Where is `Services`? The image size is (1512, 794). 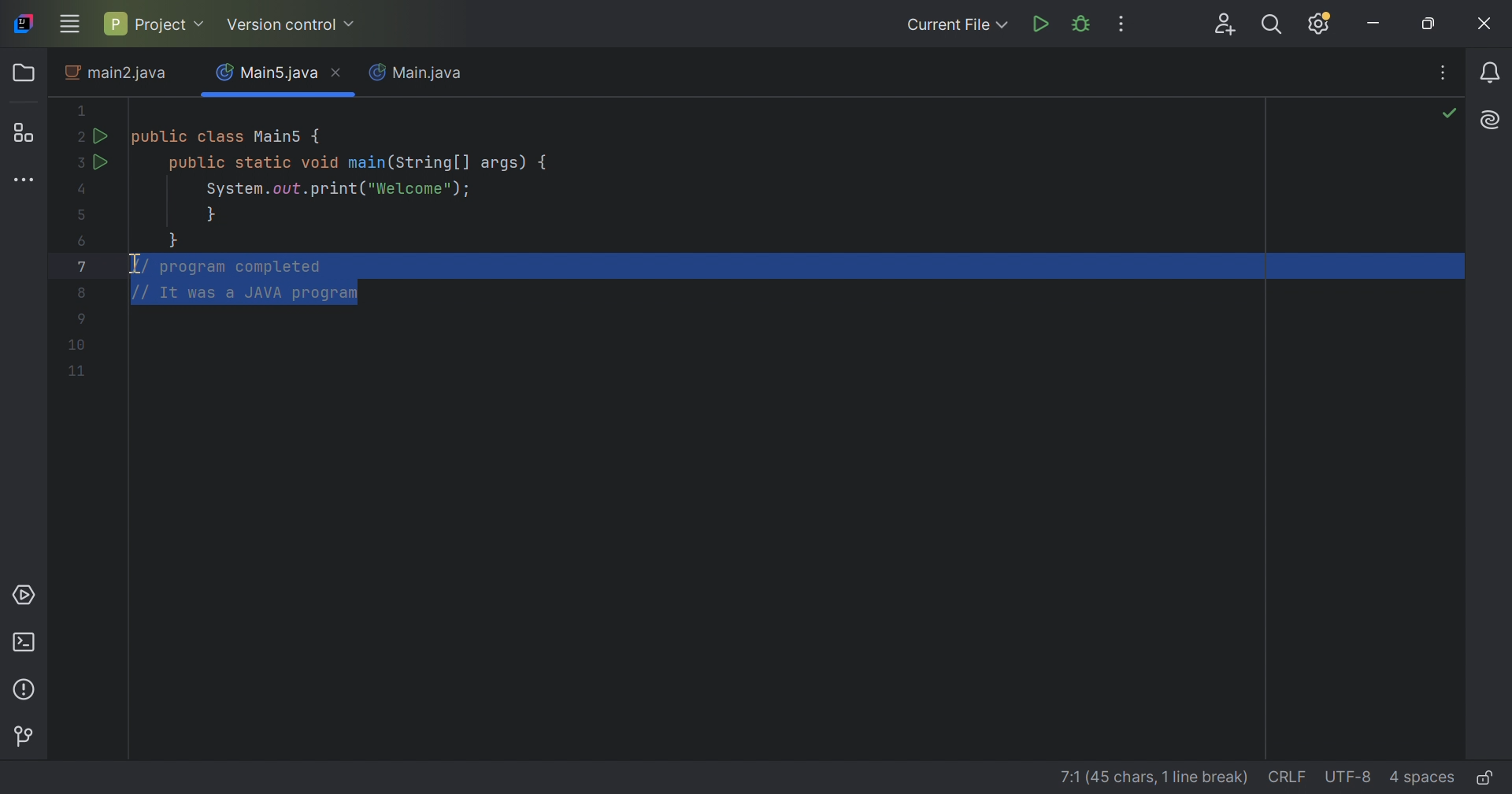 Services is located at coordinates (28, 597).